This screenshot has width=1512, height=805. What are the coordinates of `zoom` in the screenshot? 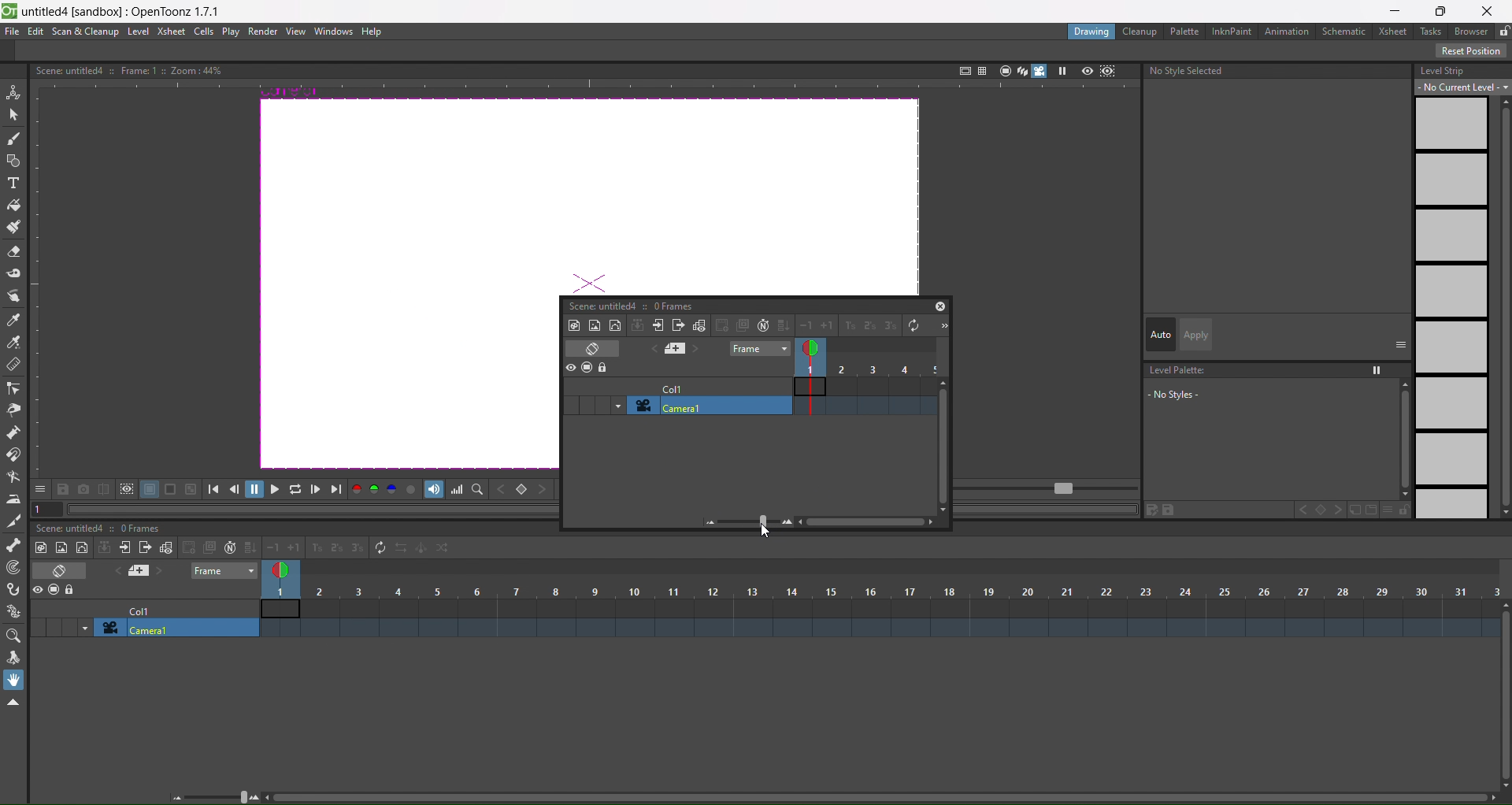 It's located at (728, 521).